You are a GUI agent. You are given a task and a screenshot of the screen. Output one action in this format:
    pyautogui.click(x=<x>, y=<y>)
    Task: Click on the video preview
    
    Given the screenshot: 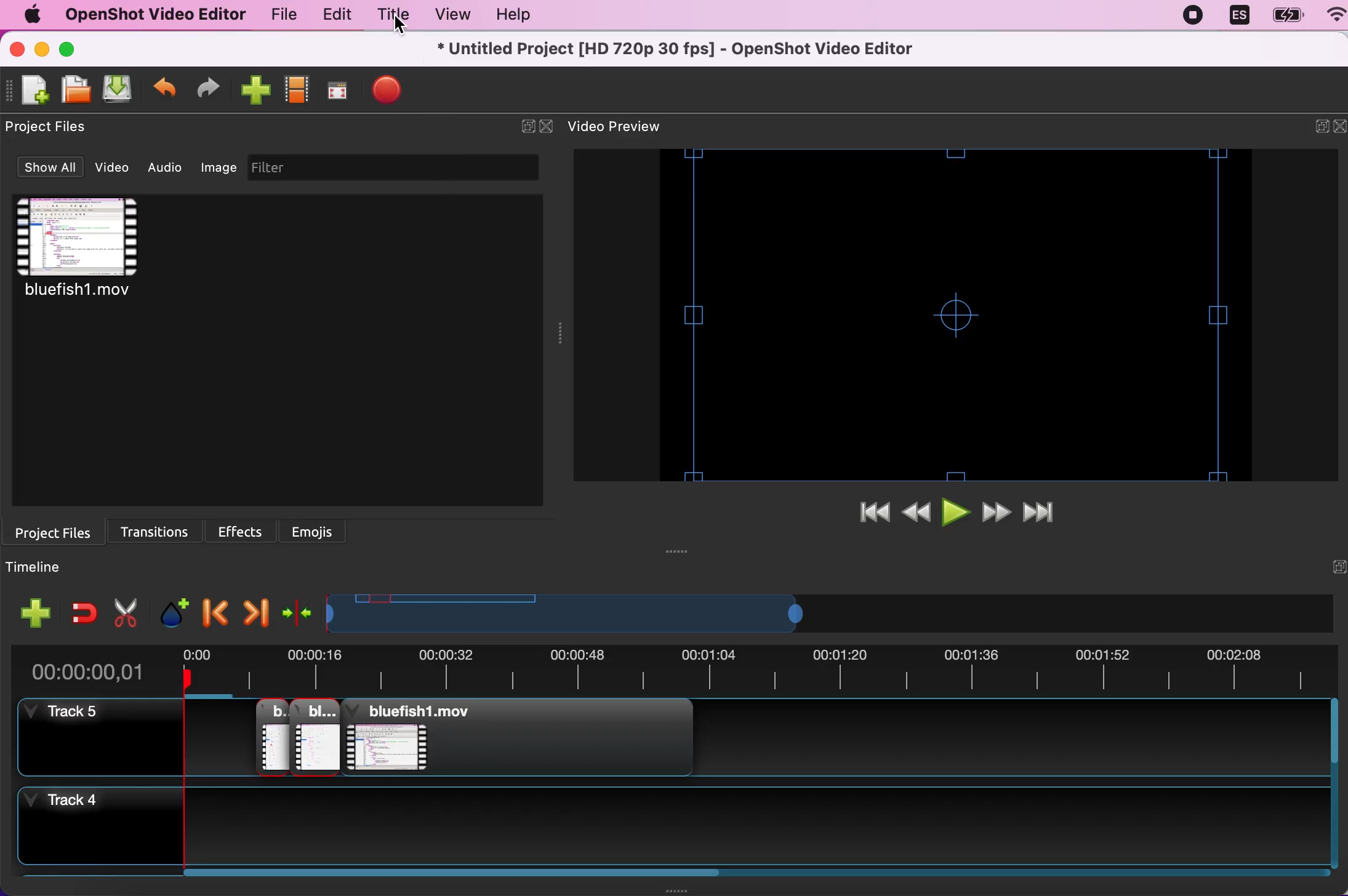 What is the action you would take?
    pyautogui.click(x=960, y=315)
    